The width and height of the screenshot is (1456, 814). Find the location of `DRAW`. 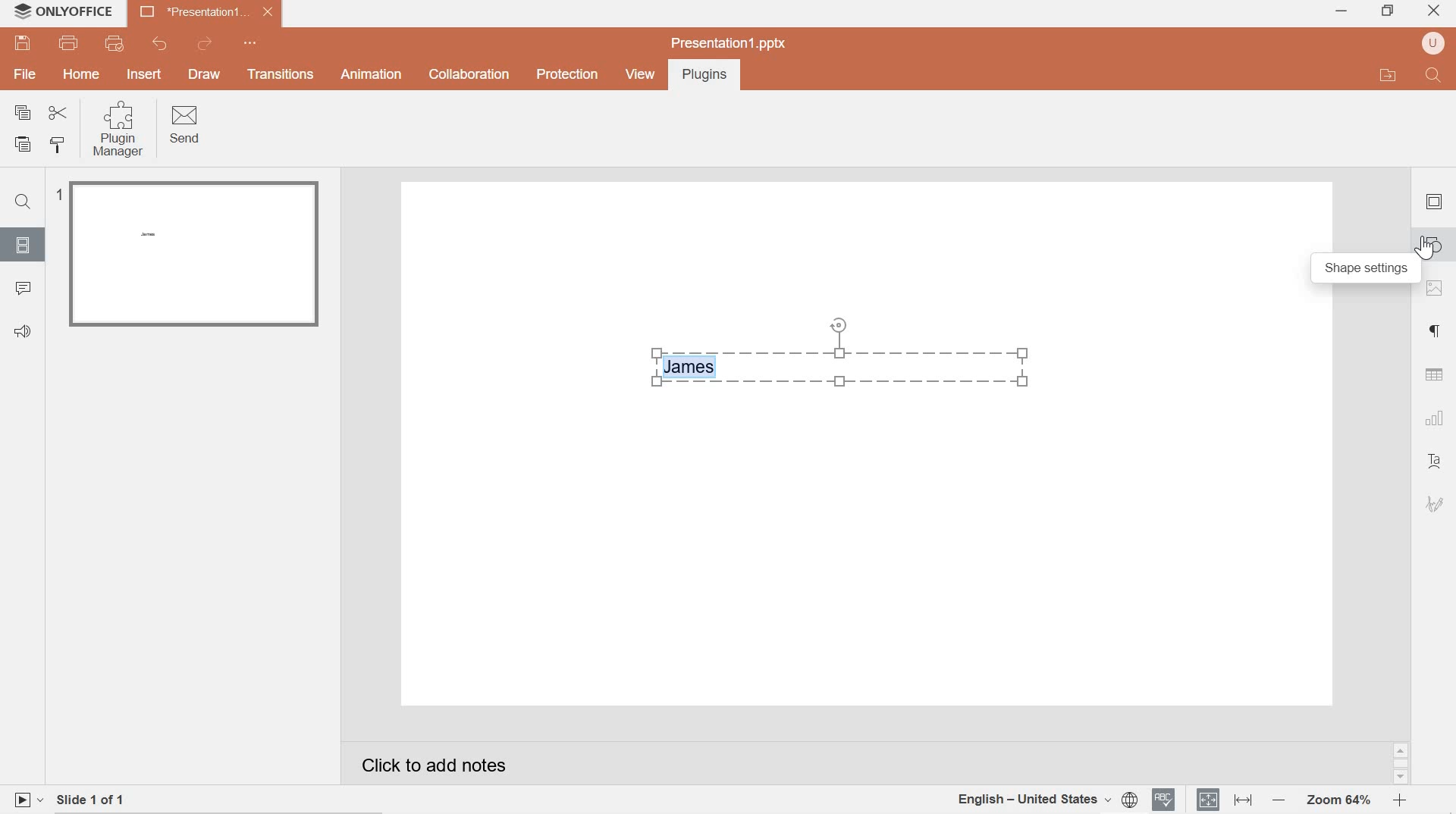

DRAW is located at coordinates (207, 76).